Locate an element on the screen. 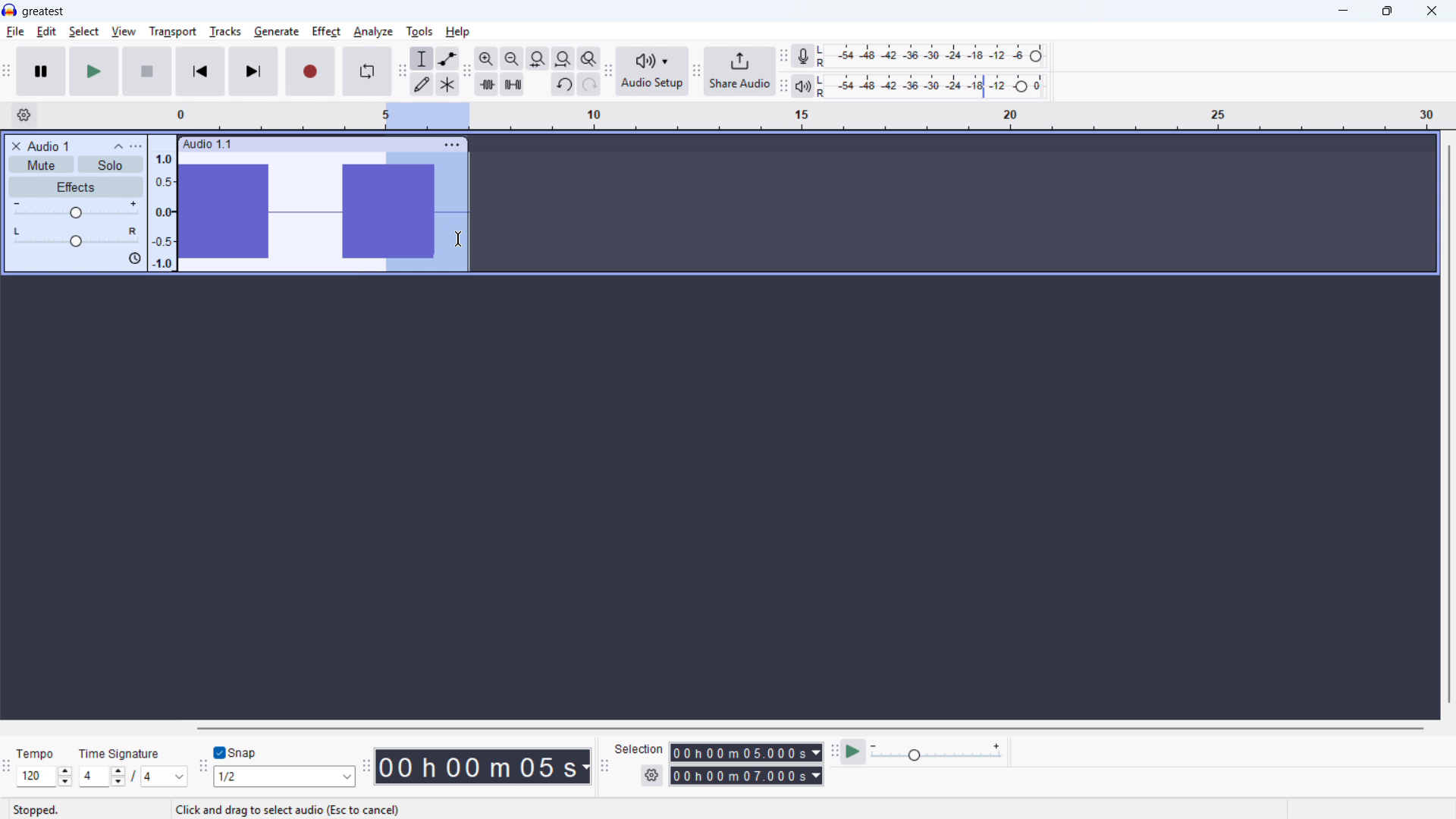  Part of the audio being selected is located at coordinates (427, 212).